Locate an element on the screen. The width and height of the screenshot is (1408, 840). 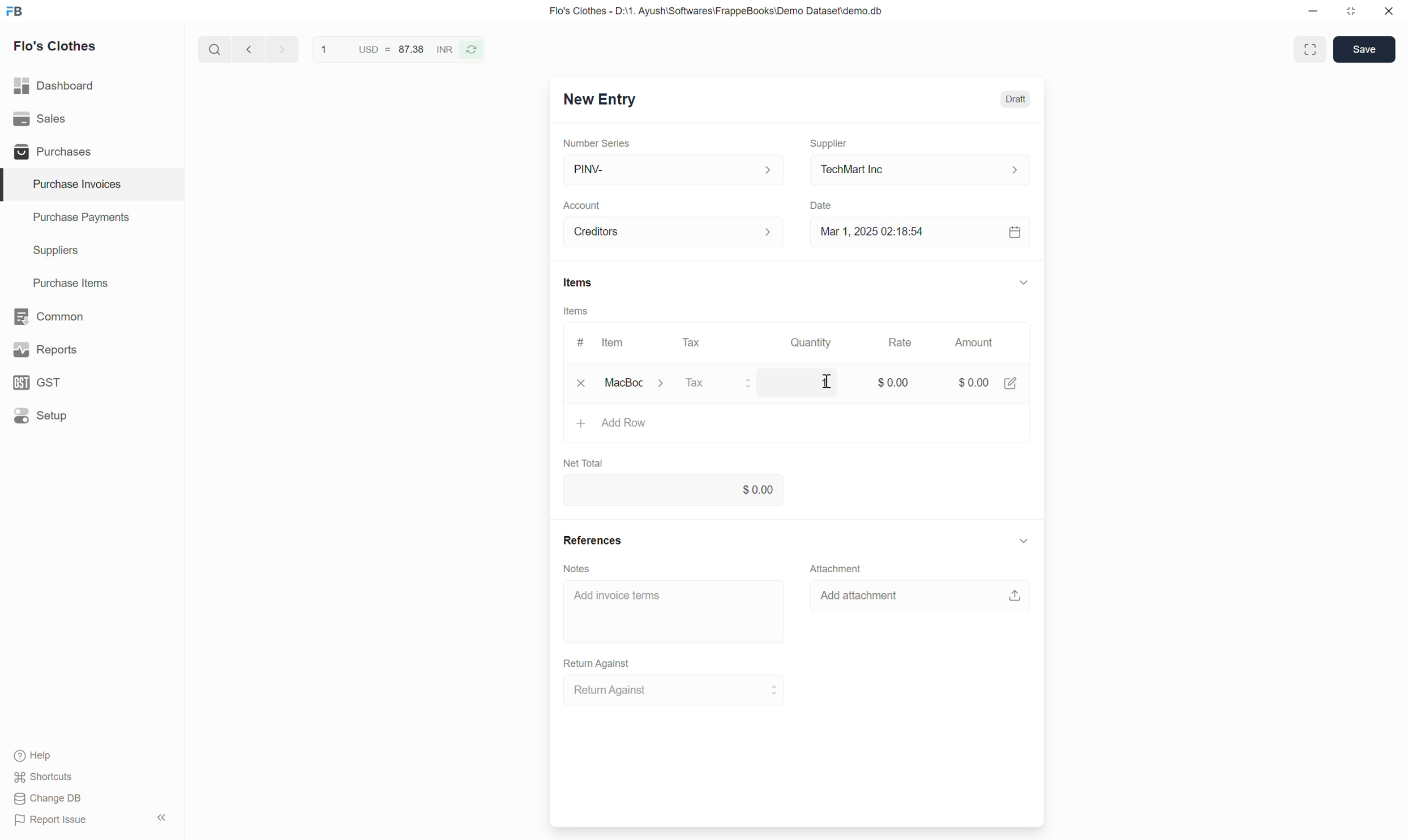
Reverse is located at coordinates (472, 50).